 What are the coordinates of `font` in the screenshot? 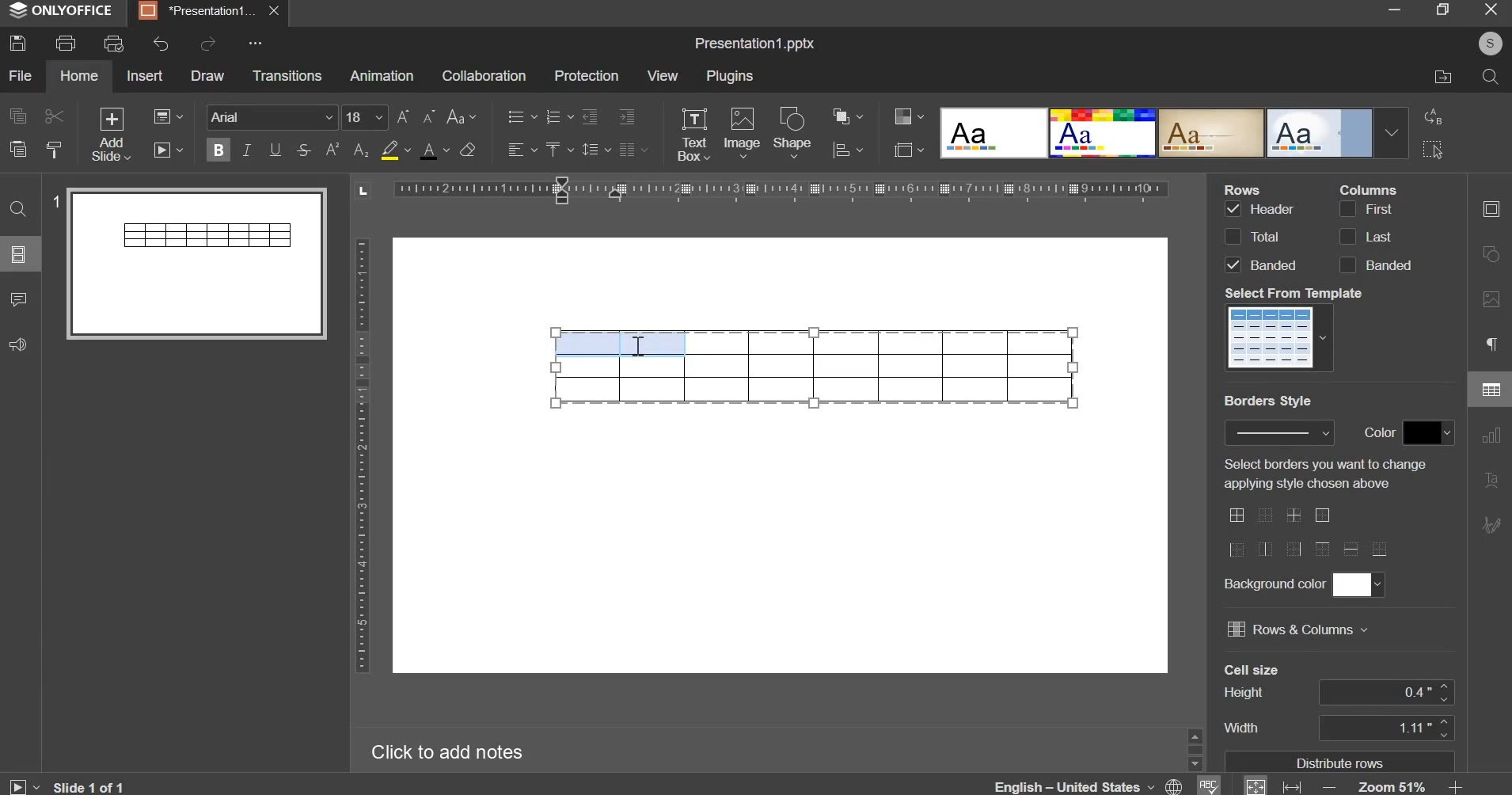 It's located at (273, 116).